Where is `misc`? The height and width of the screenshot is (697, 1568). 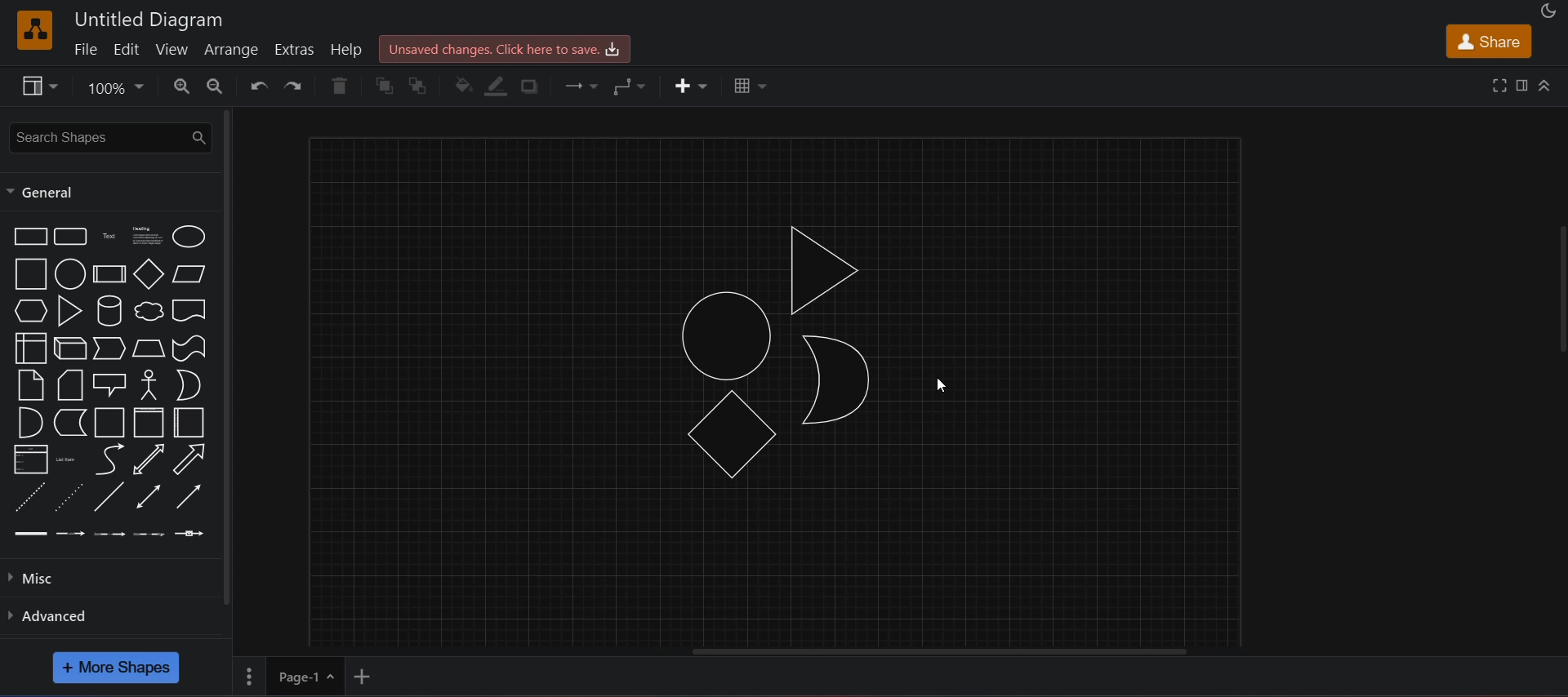 misc is located at coordinates (37, 580).